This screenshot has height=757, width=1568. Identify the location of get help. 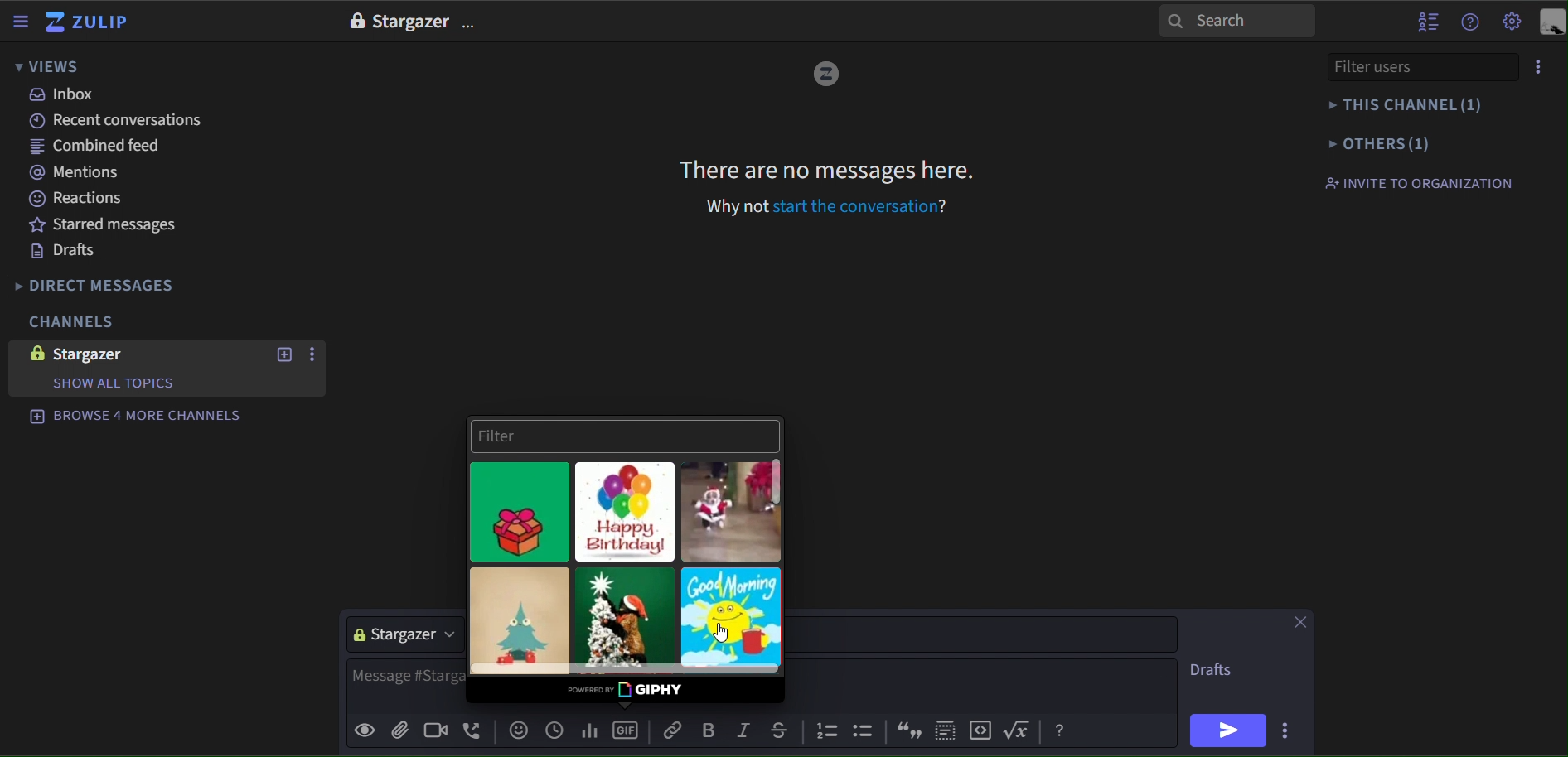
(1471, 22).